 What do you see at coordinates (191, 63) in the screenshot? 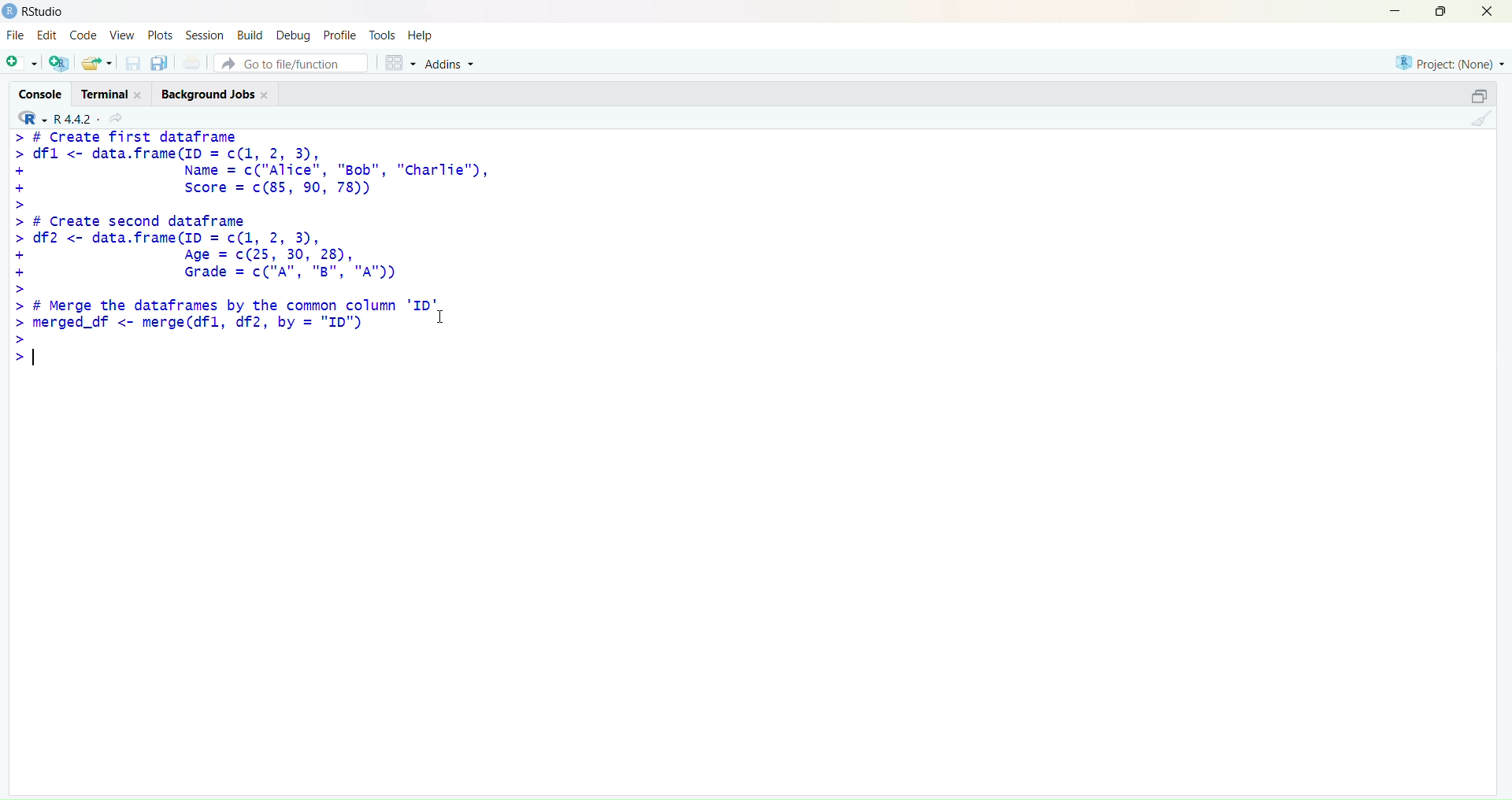
I see `print` at bounding box center [191, 63].